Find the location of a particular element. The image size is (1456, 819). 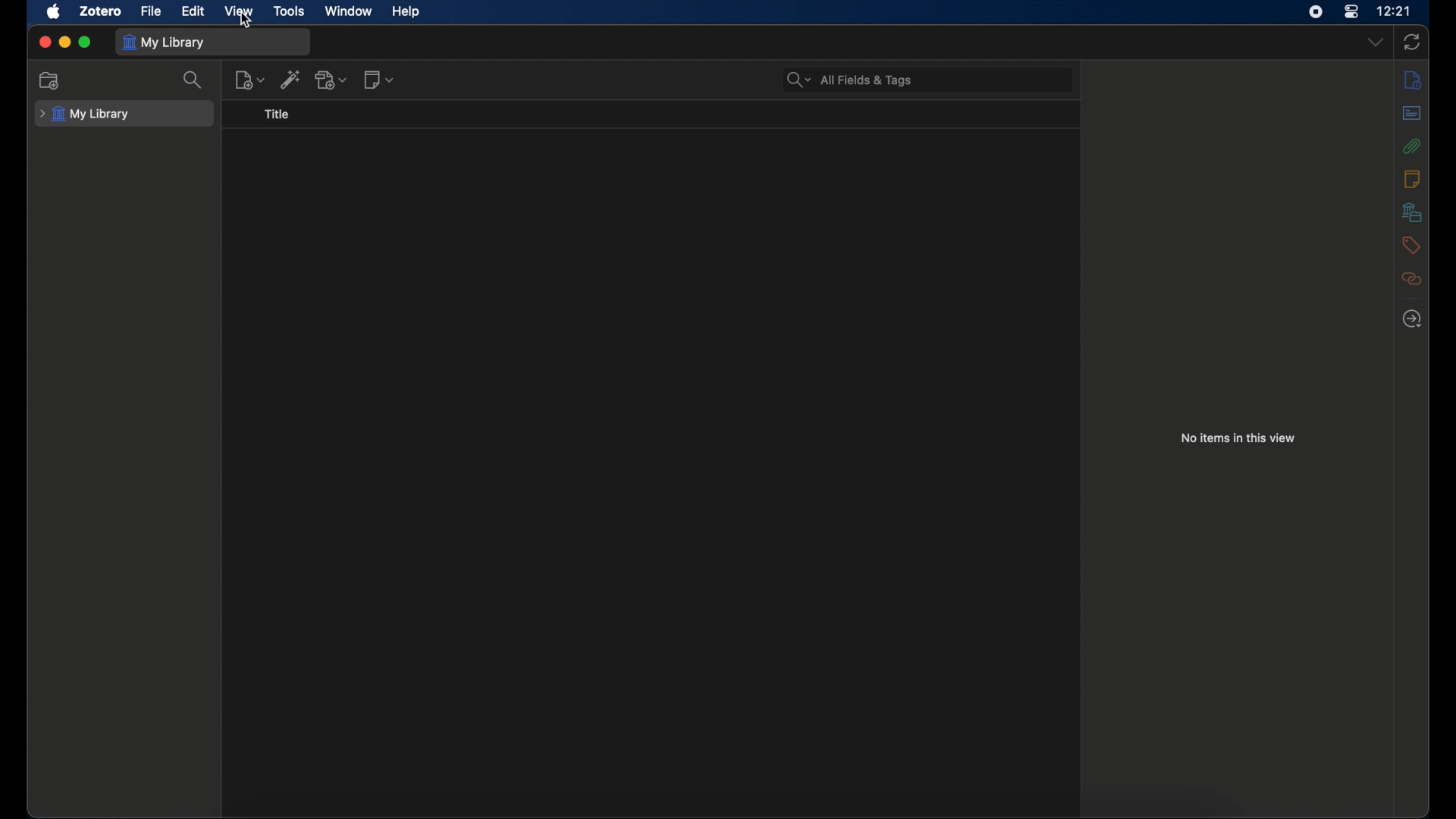

tools is located at coordinates (290, 11).